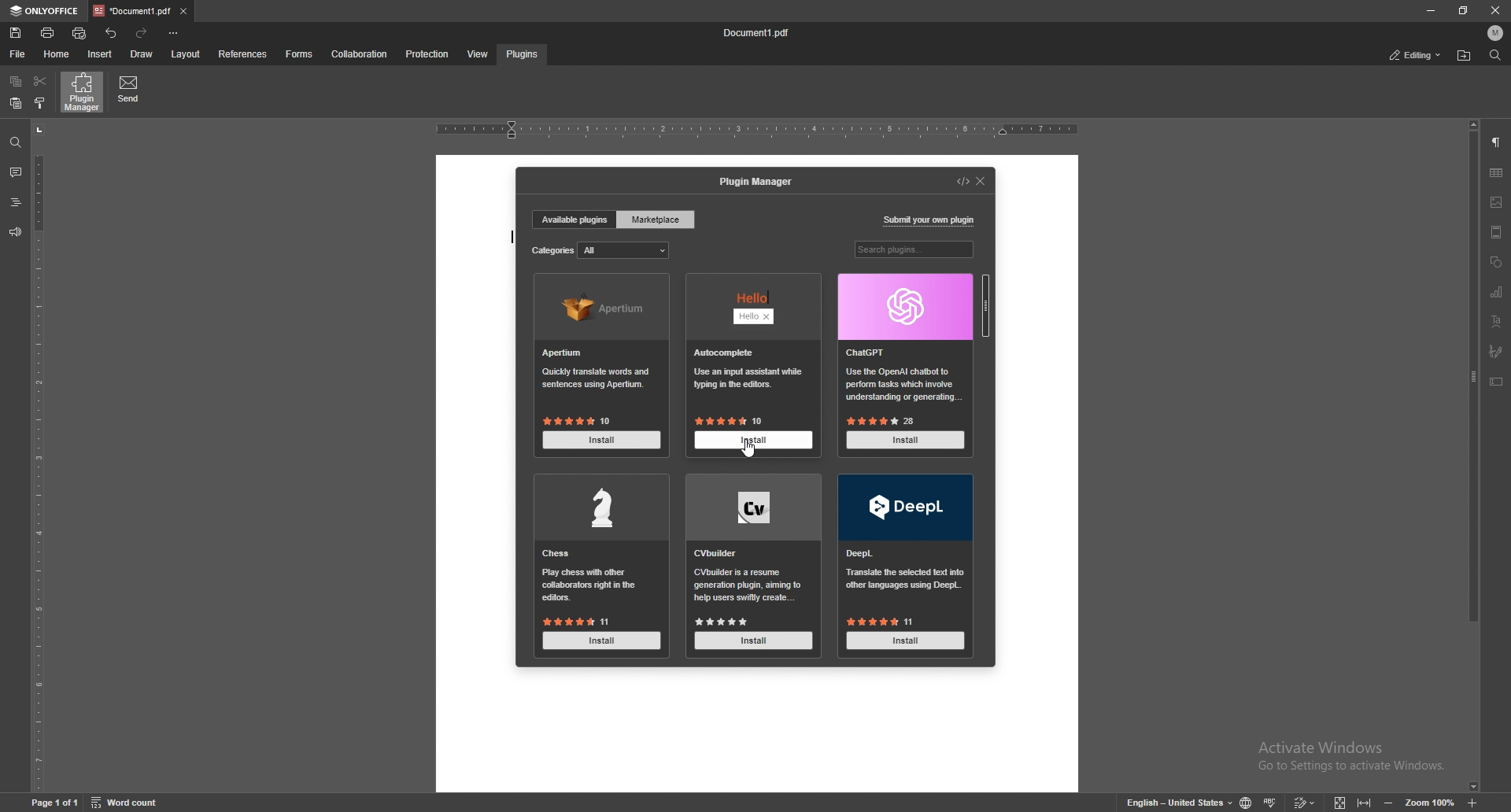  Describe the element at coordinates (478, 55) in the screenshot. I see `view` at that location.